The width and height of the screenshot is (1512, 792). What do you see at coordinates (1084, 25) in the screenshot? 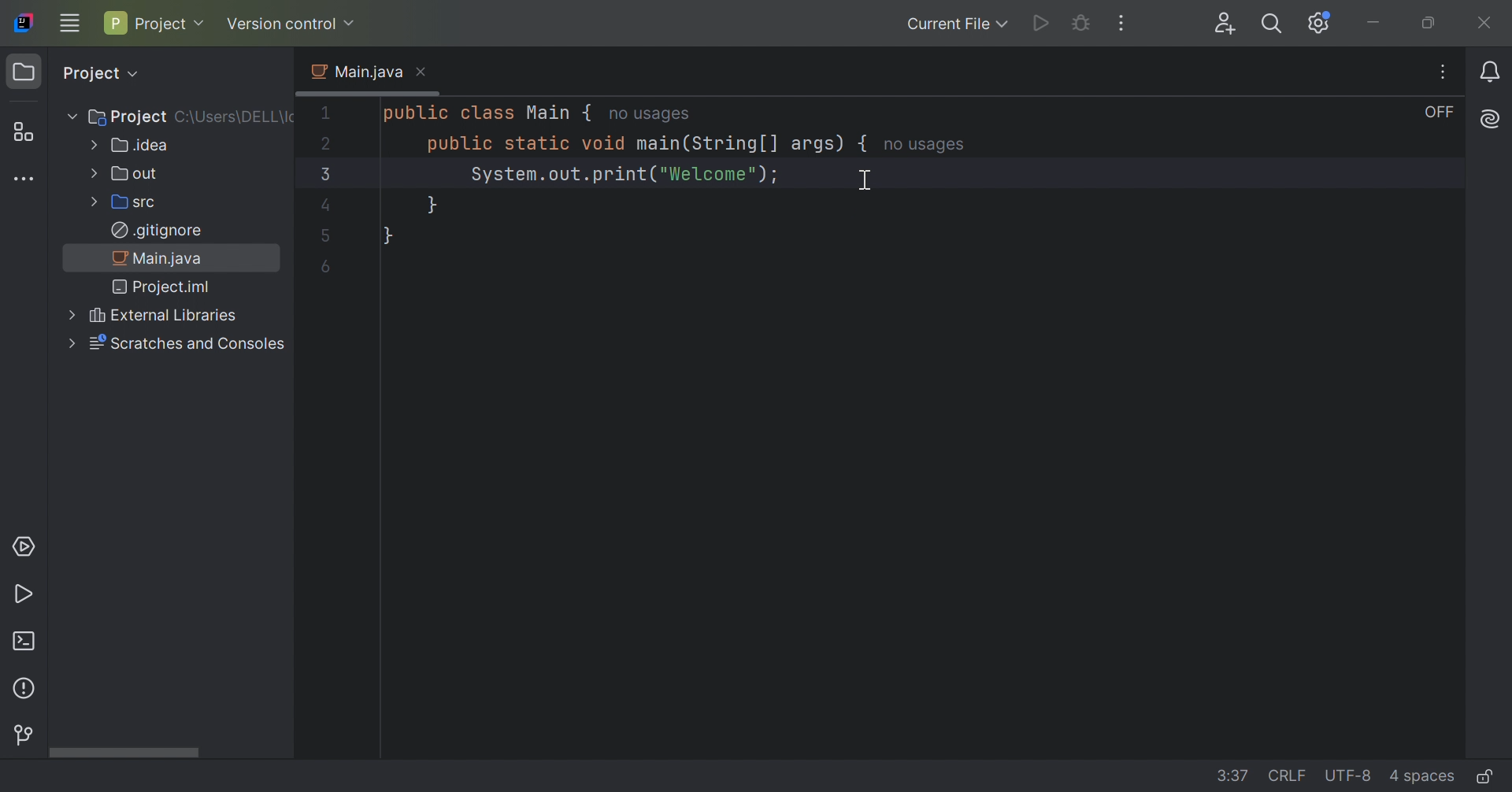
I see `Debug` at bounding box center [1084, 25].